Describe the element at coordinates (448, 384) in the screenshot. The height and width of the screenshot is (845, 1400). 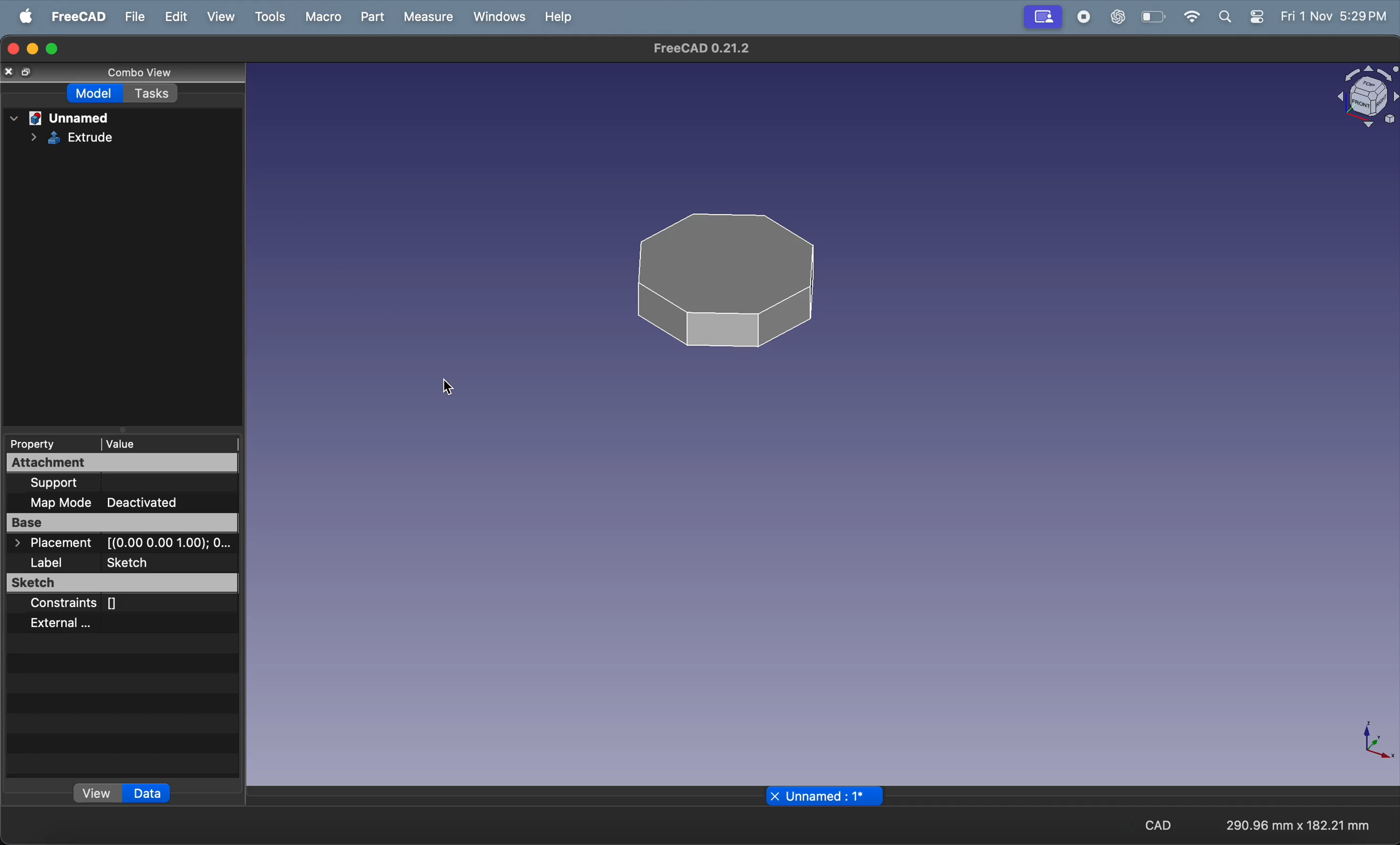
I see `cursor` at that location.